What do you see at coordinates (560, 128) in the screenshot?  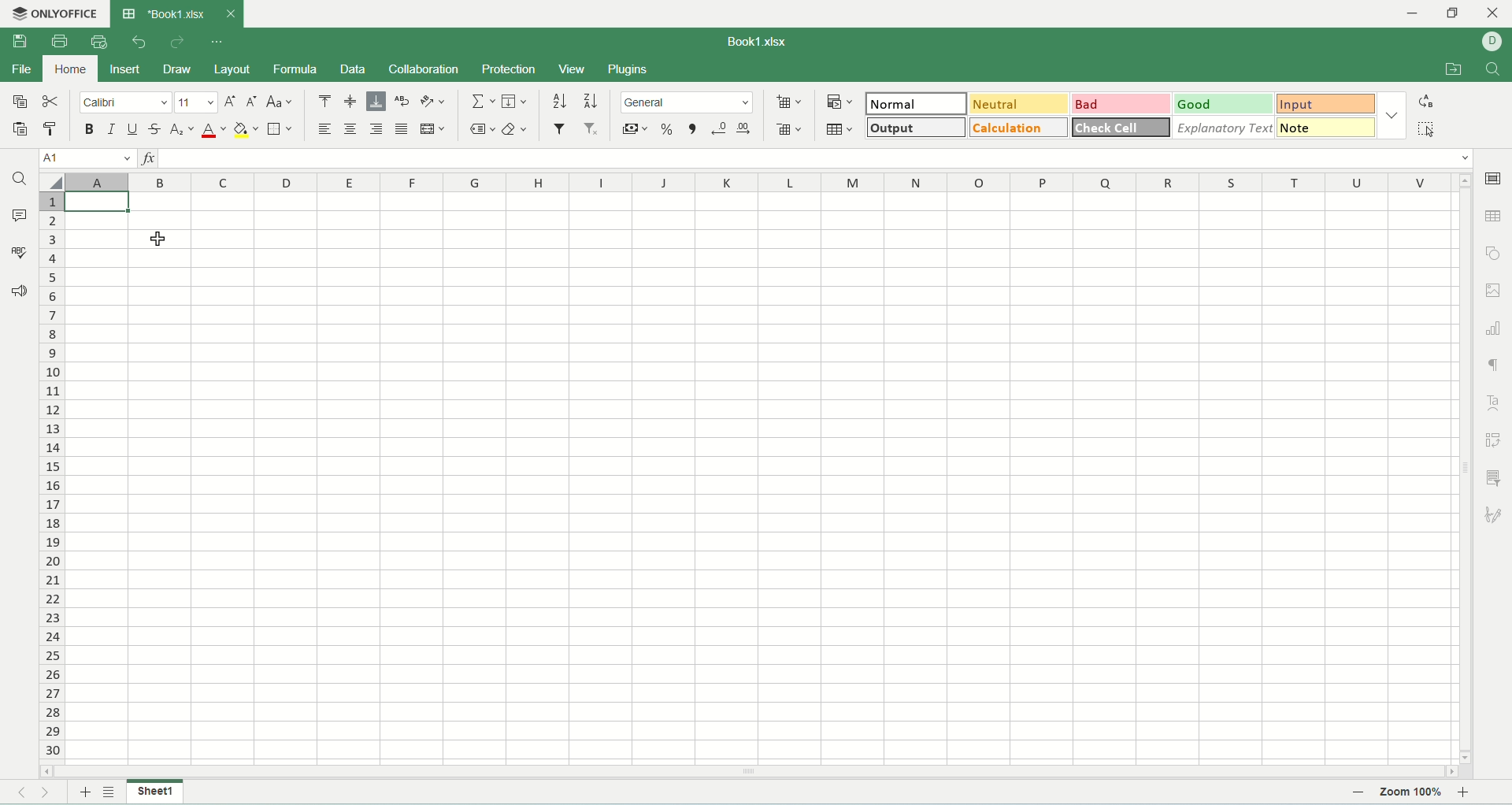 I see `filter` at bounding box center [560, 128].